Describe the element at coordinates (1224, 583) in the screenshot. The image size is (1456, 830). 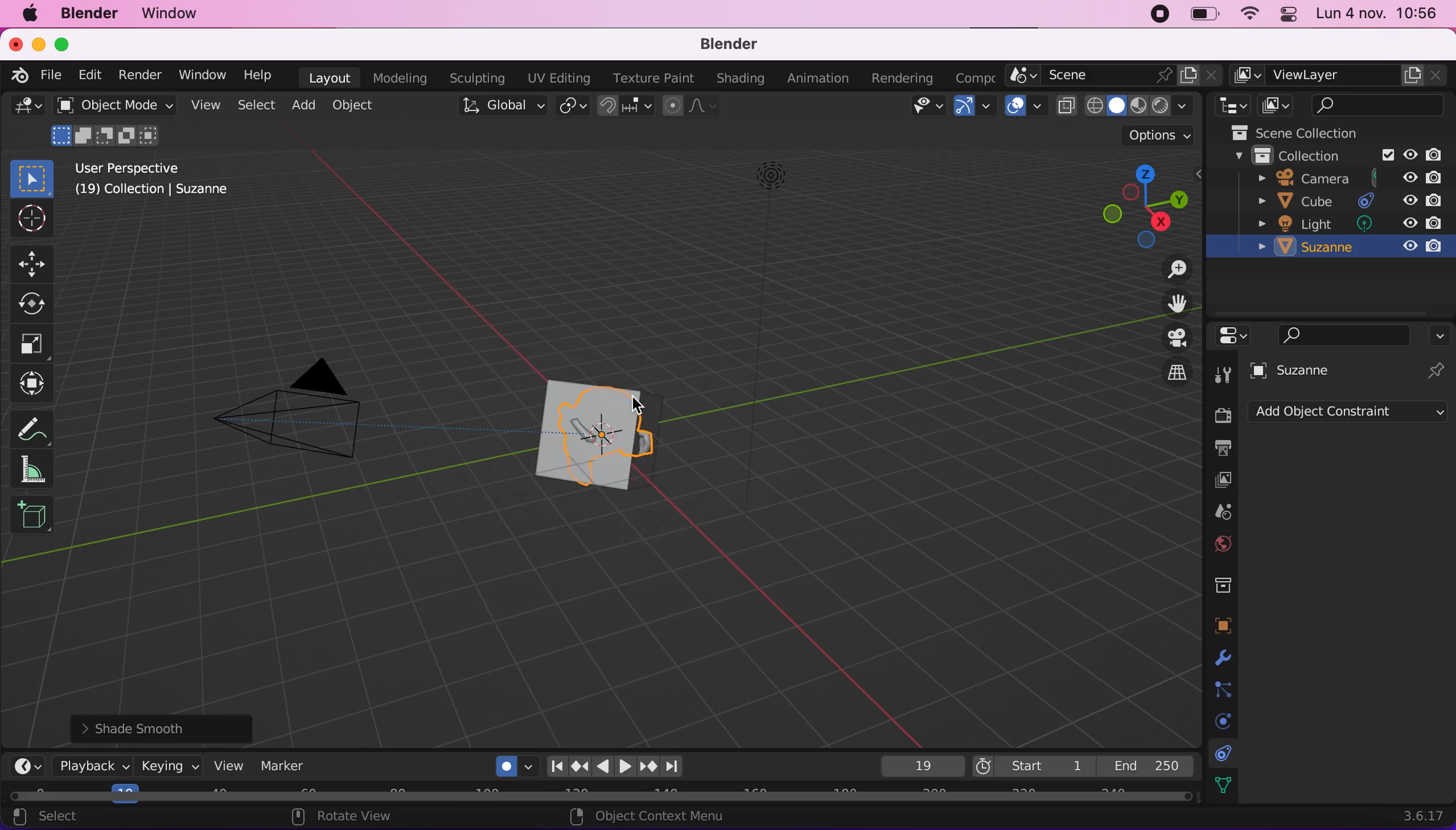
I see `collections` at that location.